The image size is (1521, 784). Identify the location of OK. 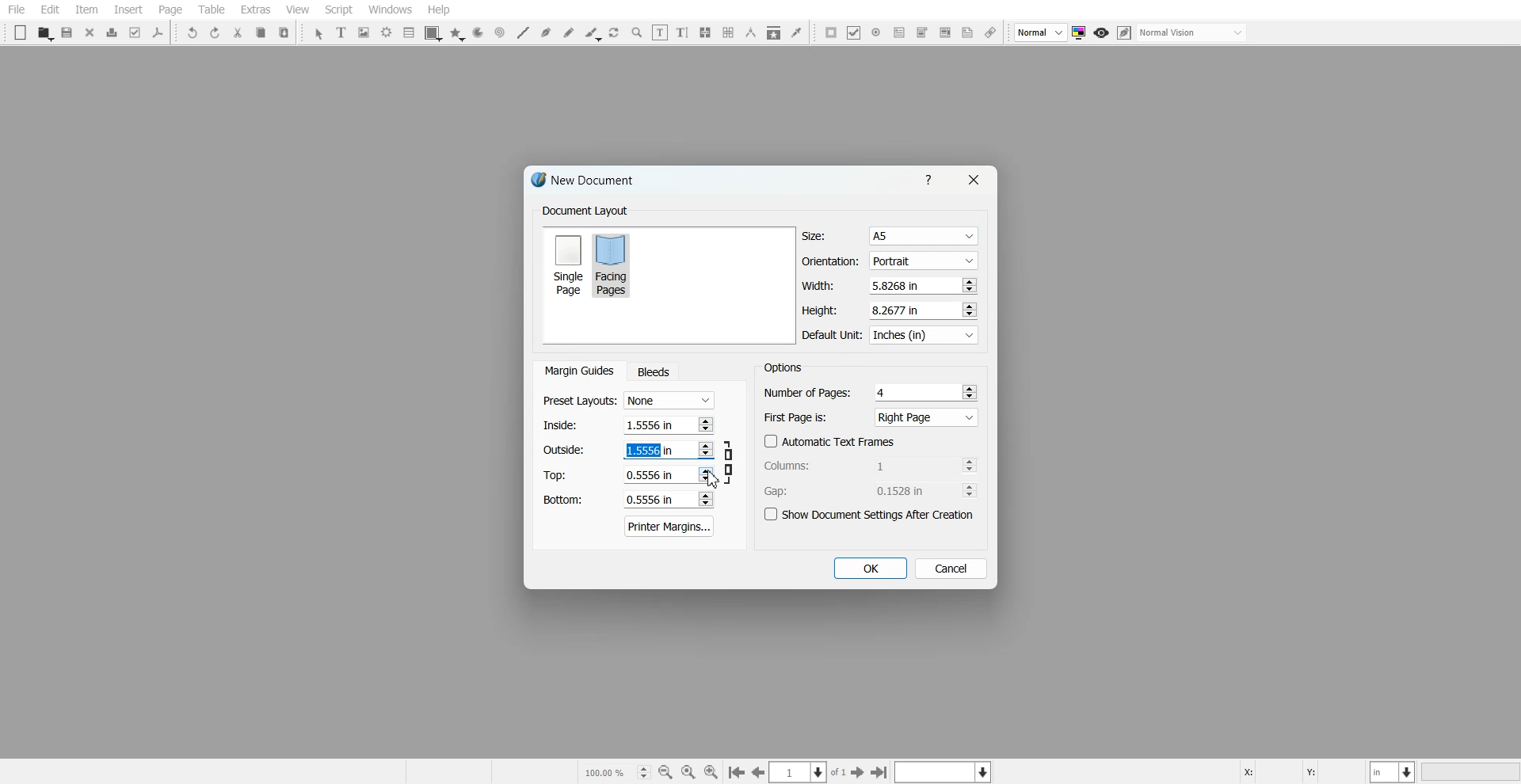
(869, 569).